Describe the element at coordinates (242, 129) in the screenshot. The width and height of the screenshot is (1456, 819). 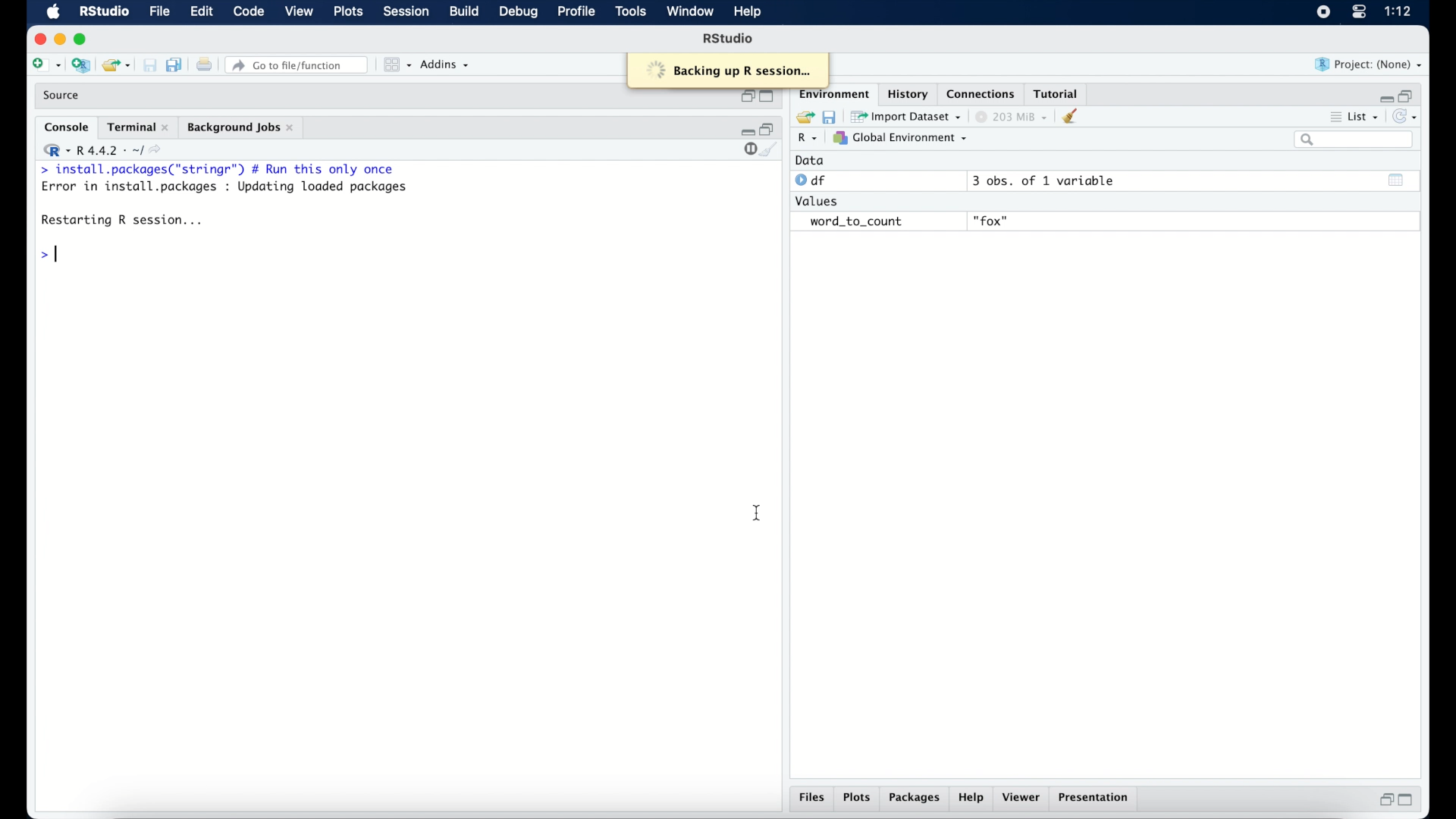
I see `background jobs` at that location.